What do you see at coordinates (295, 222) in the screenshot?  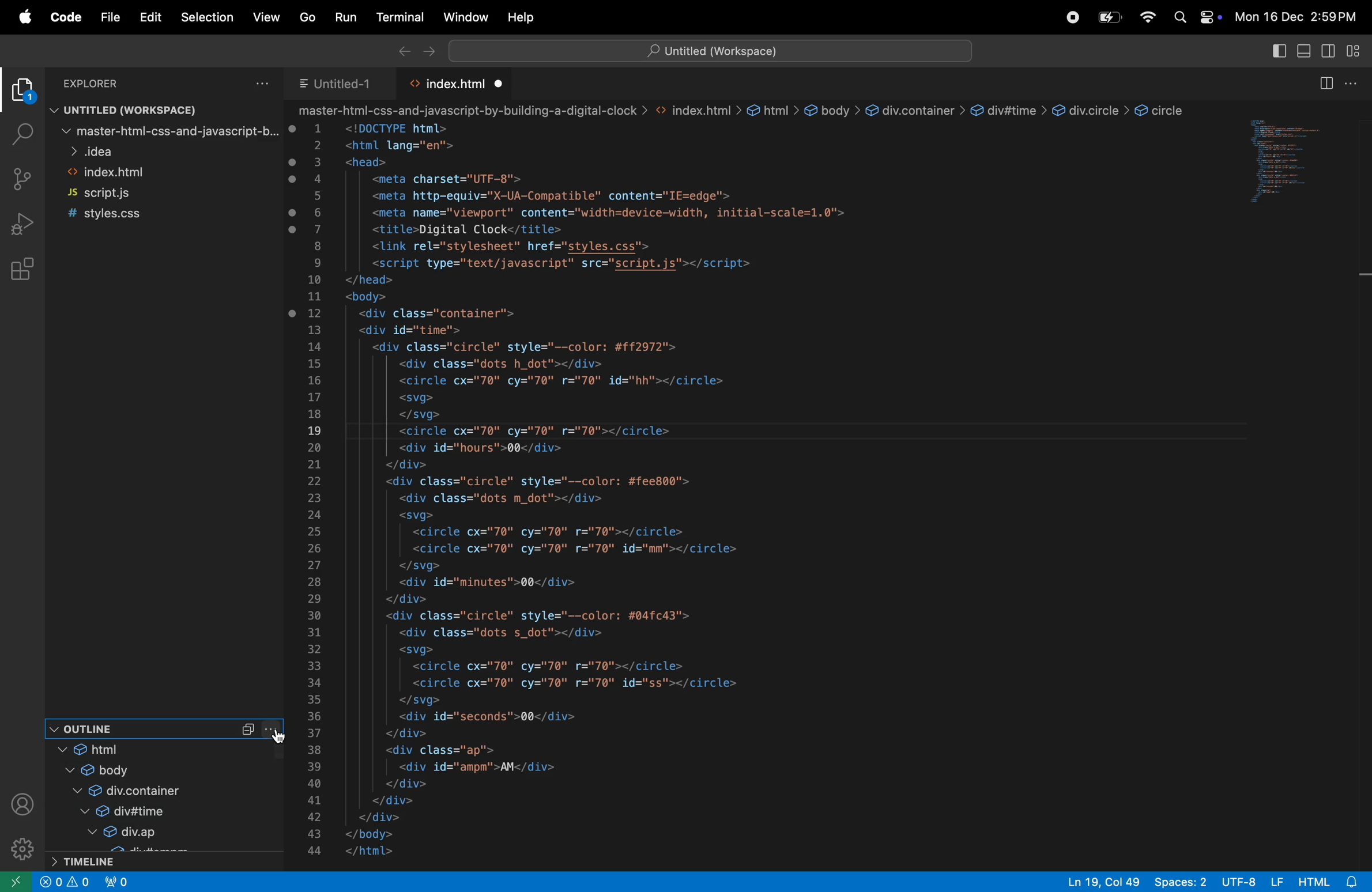 I see `unsaved changes made` at bounding box center [295, 222].